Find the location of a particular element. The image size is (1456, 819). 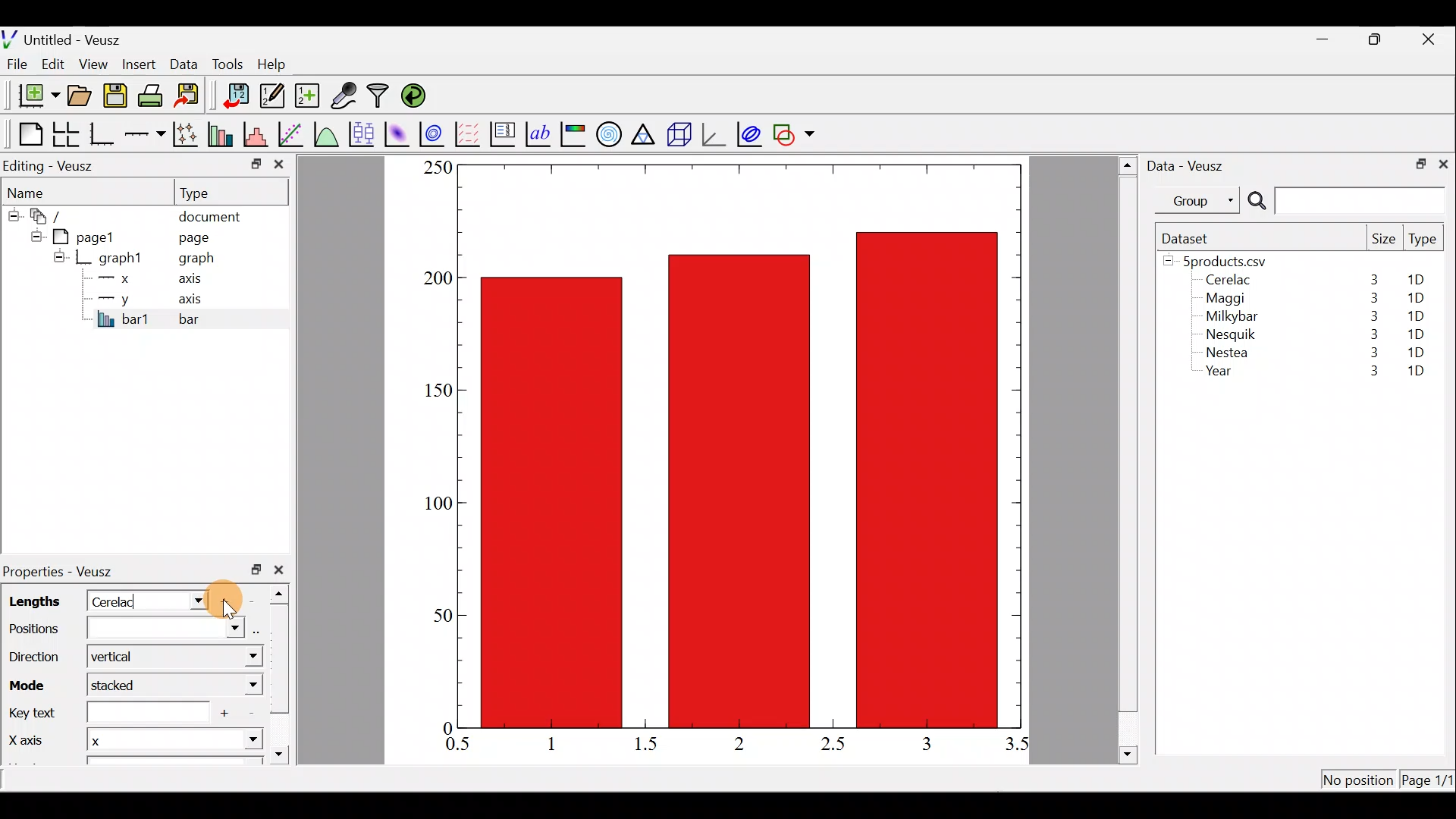

close is located at coordinates (1430, 39).